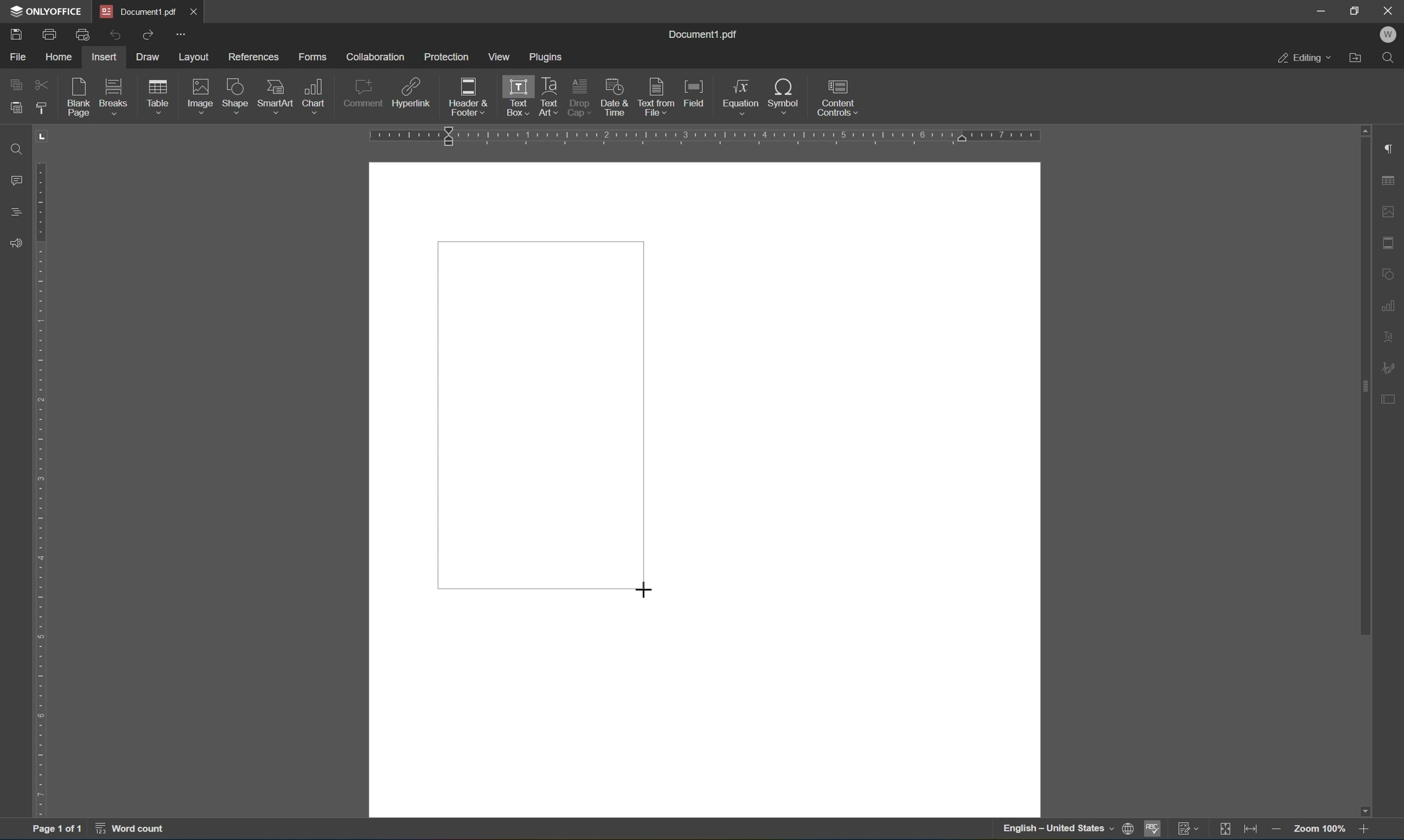 The height and width of the screenshot is (840, 1404). Describe the element at coordinates (655, 97) in the screenshot. I see `text from file` at that location.